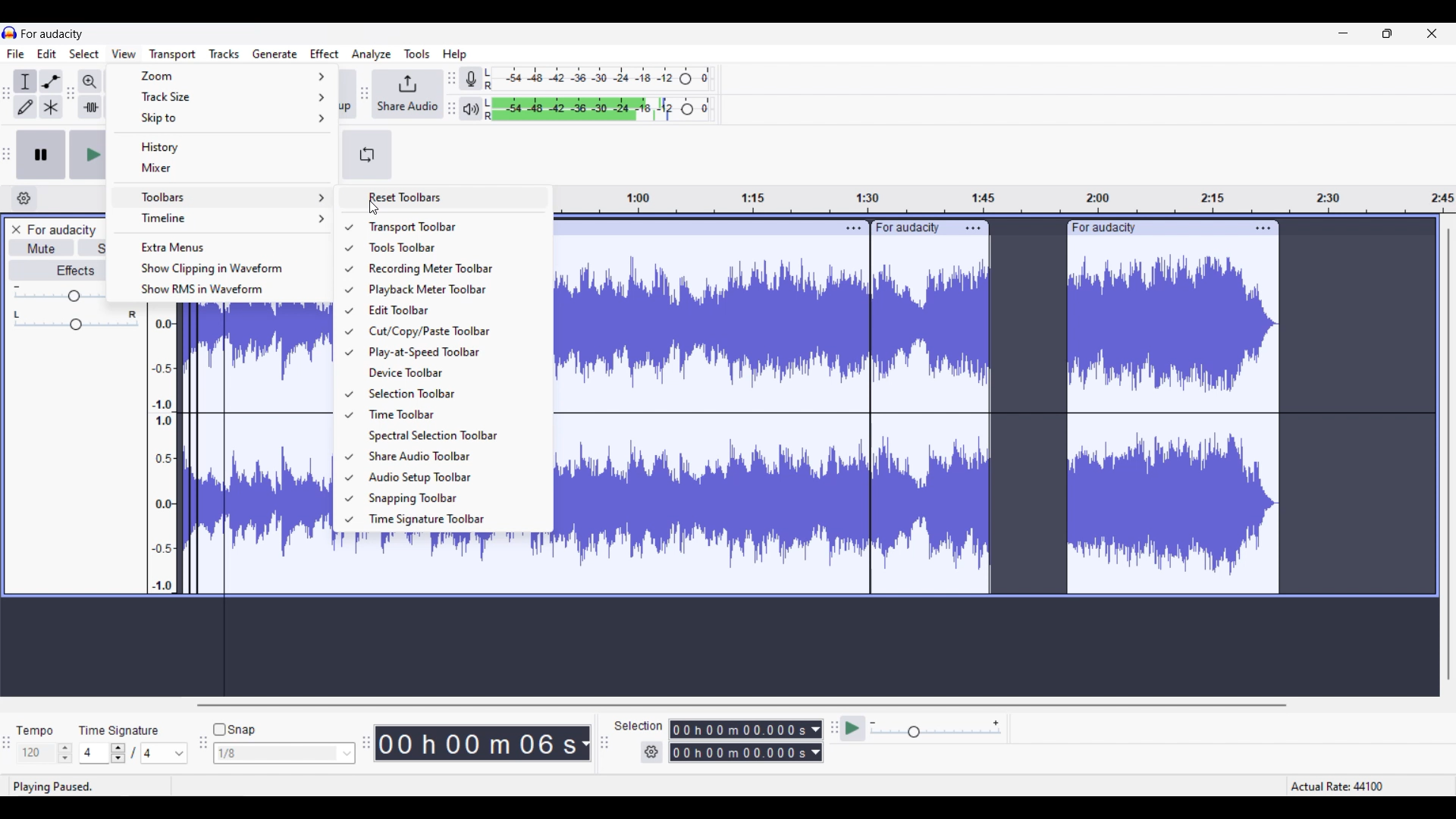  What do you see at coordinates (455, 55) in the screenshot?
I see `Help menu` at bounding box center [455, 55].